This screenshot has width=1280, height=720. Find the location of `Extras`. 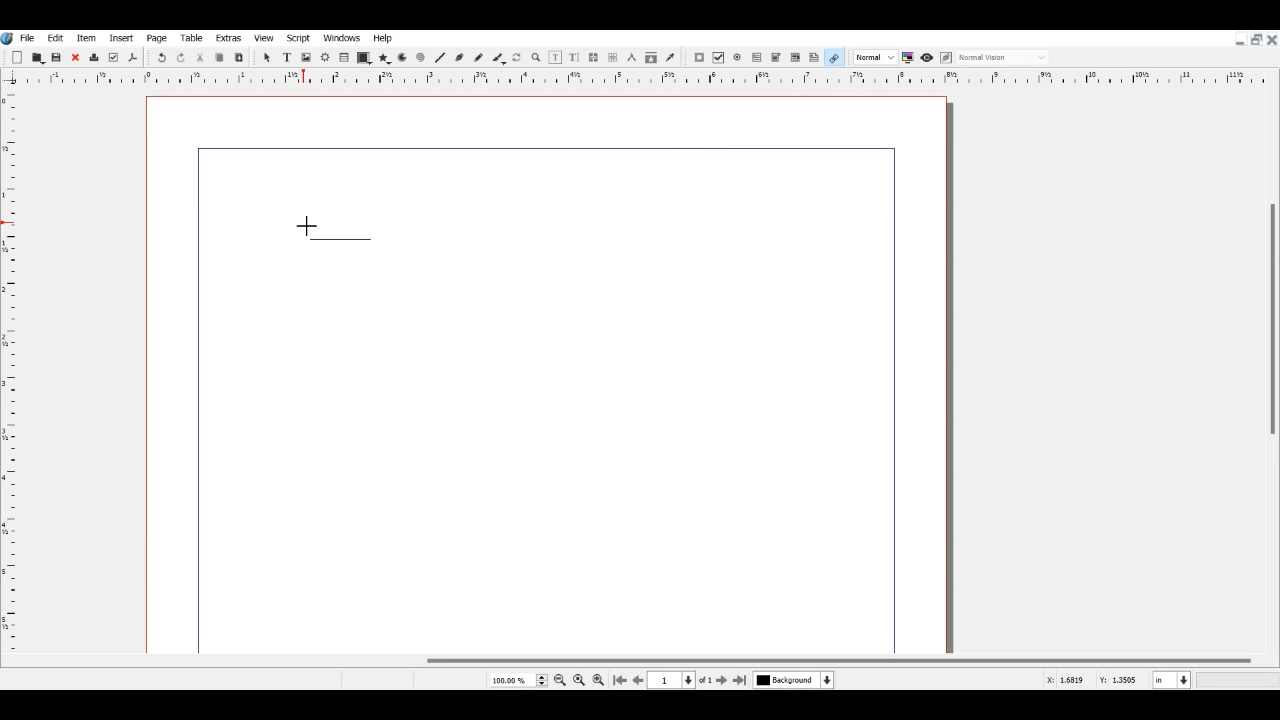

Extras is located at coordinates (228, 38).